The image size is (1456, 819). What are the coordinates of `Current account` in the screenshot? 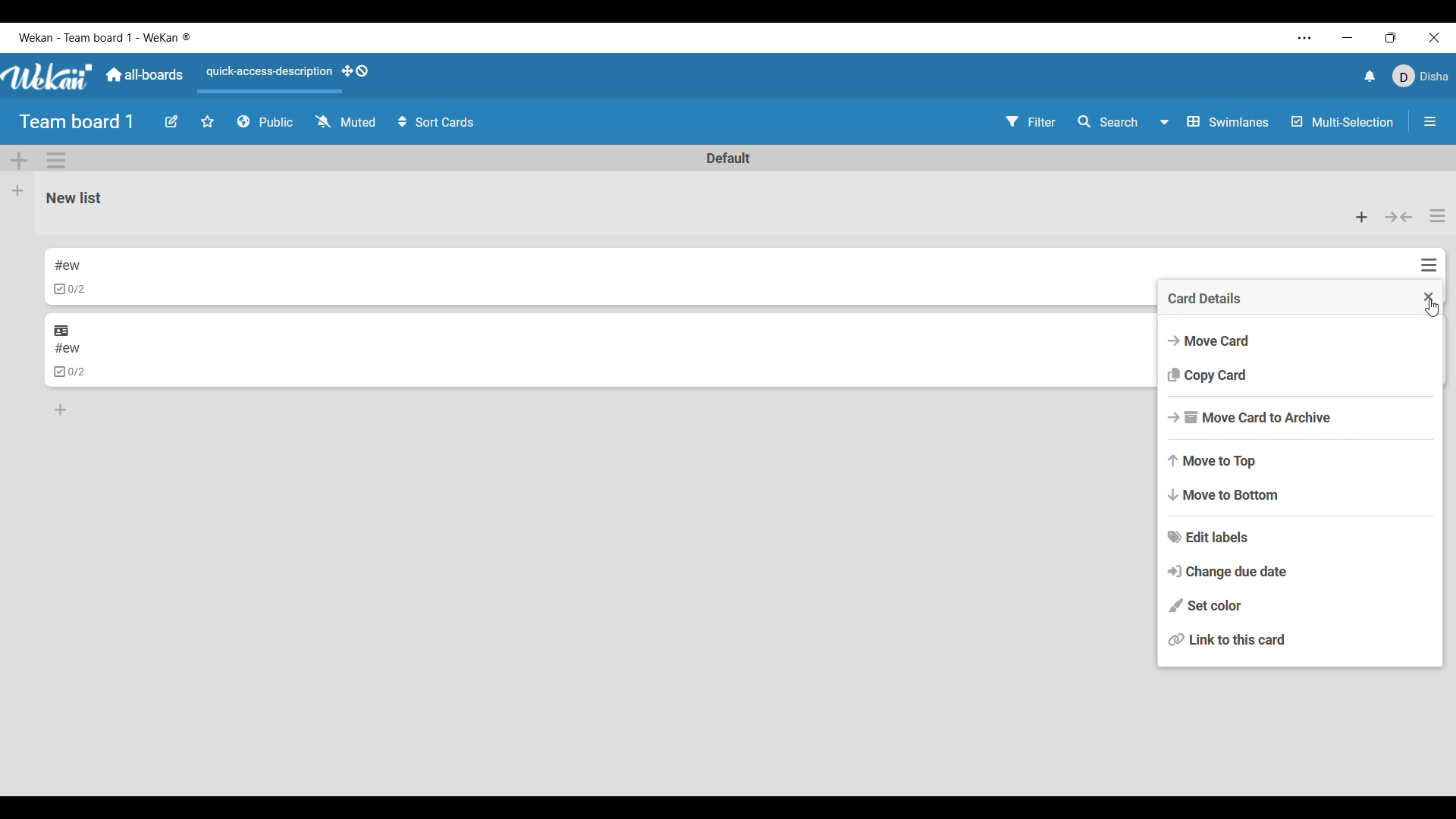 It's located at (1420, 77).